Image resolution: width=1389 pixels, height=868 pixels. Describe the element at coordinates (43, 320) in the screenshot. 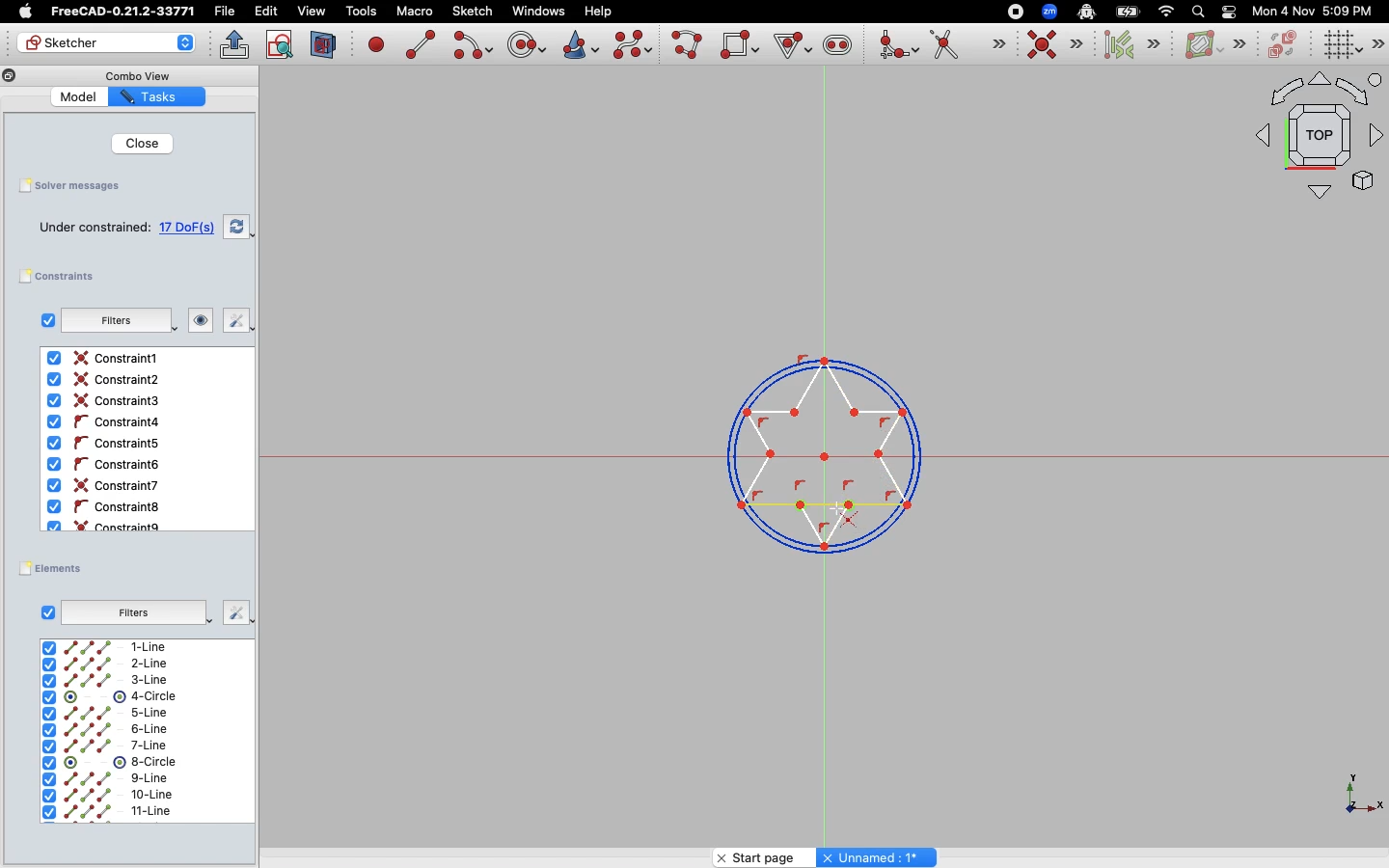

I see `Checkbox` at that location.